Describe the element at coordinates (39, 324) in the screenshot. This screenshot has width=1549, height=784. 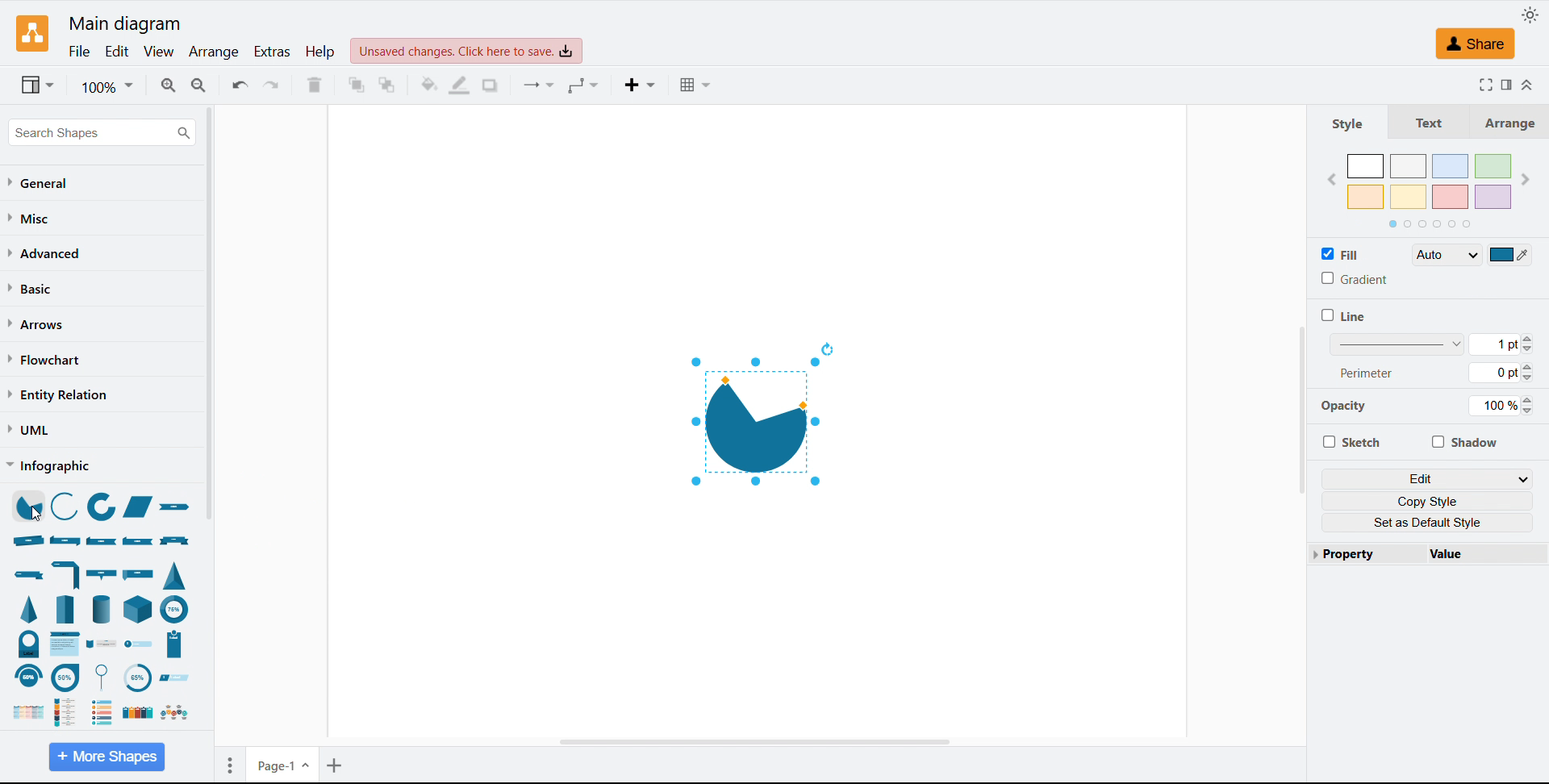
I see `Arrows ` at that location.